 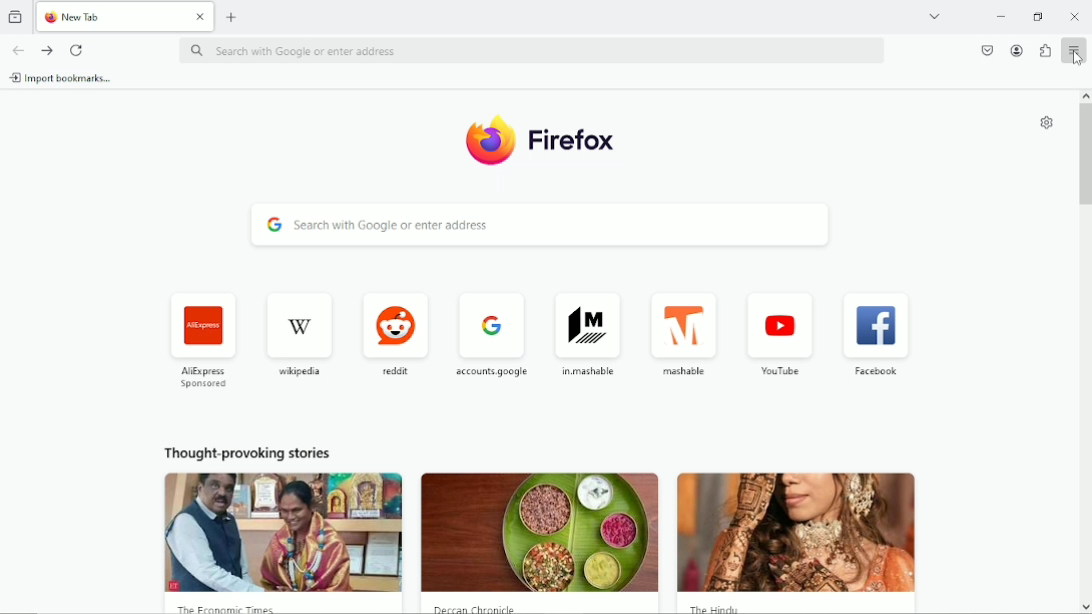 I want to click on accounts goggle, so click(x=491, y=331).